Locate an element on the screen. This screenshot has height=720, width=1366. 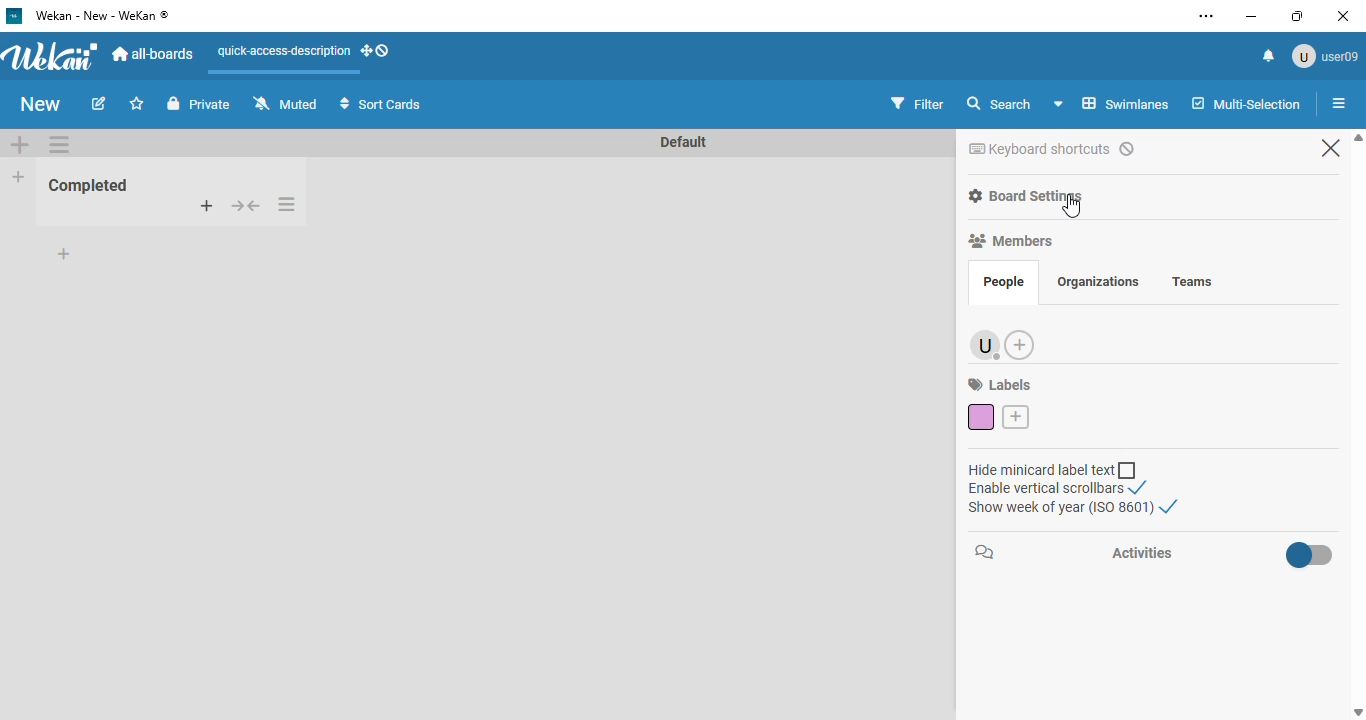
hide minicard label text is located at coordinates (1053, 469).